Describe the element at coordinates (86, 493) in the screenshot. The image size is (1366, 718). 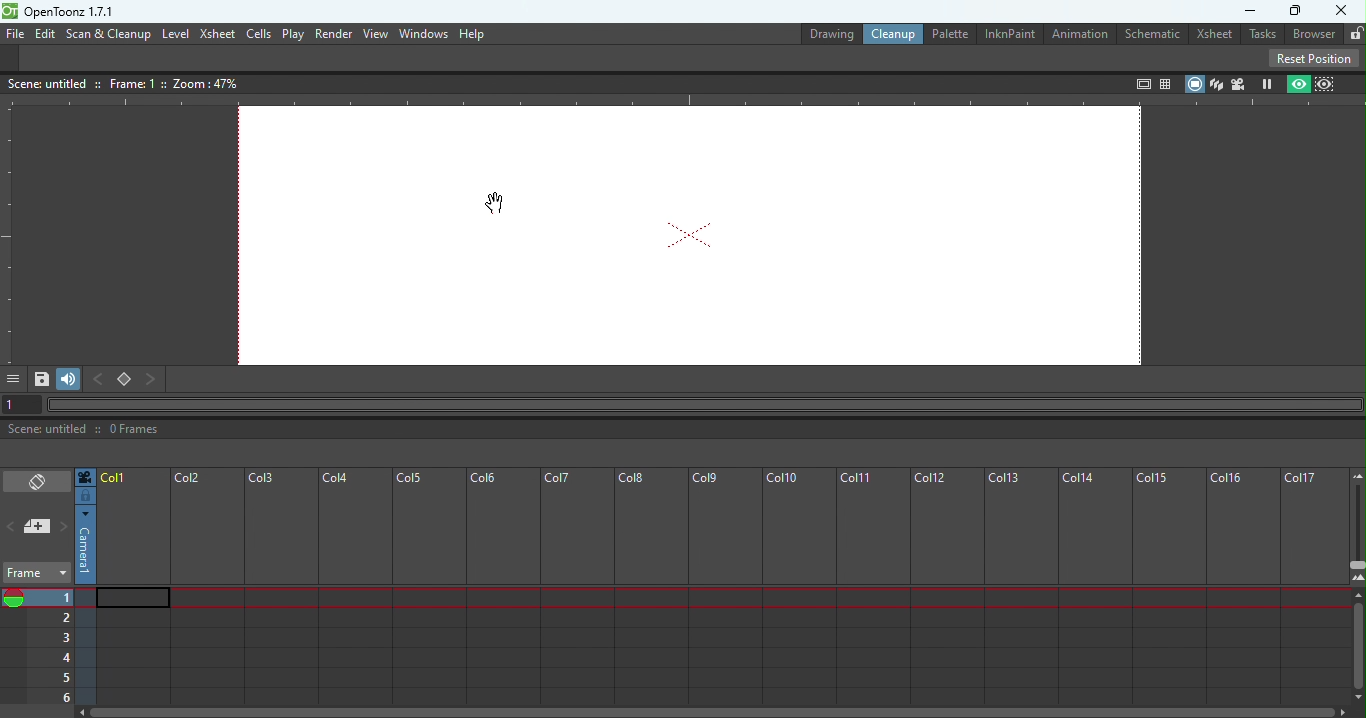
I see `Click to select camera` at that location.